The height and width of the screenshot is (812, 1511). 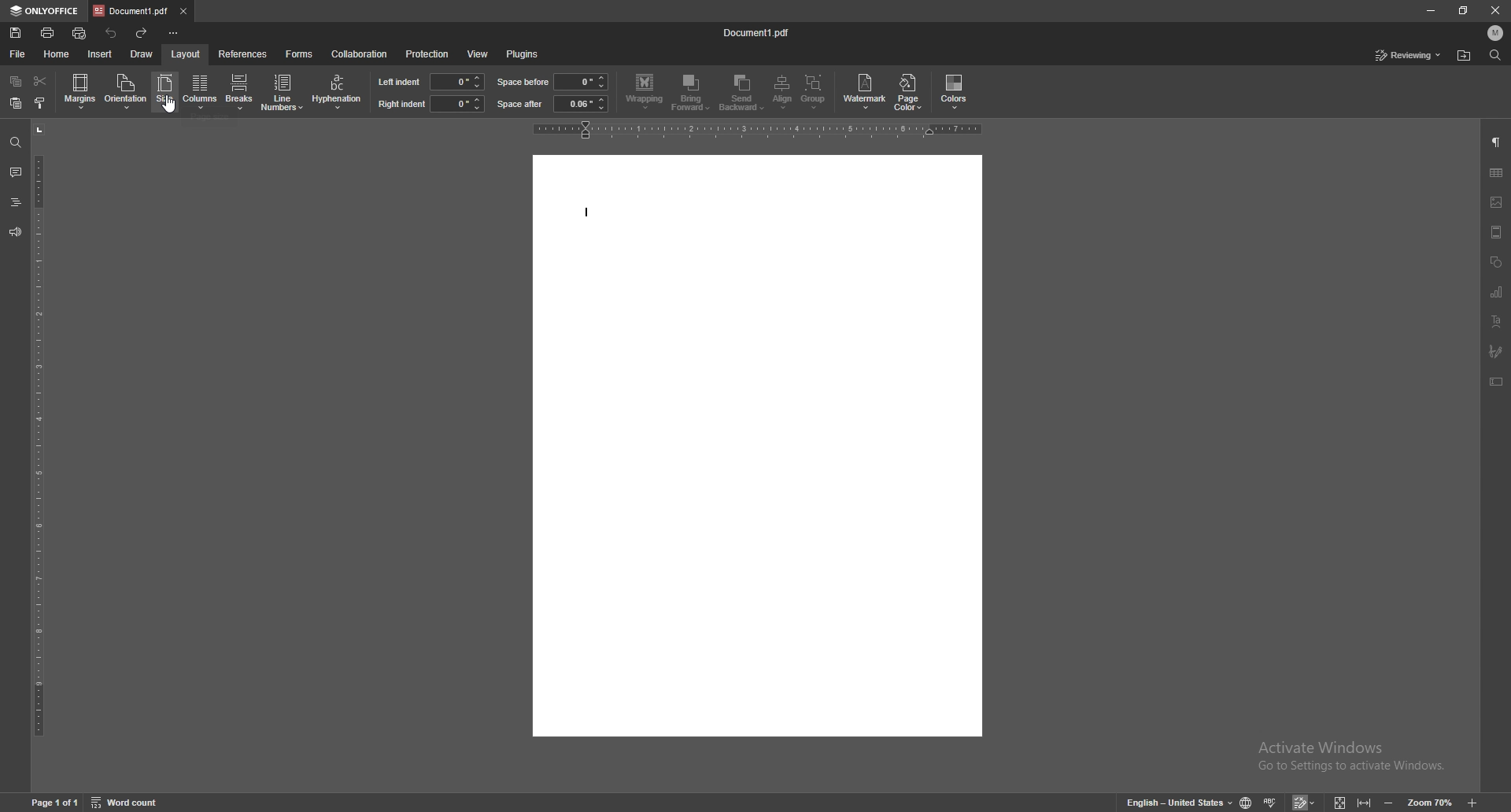 I want to click on fit to screen, so click(x=1340, y=802).